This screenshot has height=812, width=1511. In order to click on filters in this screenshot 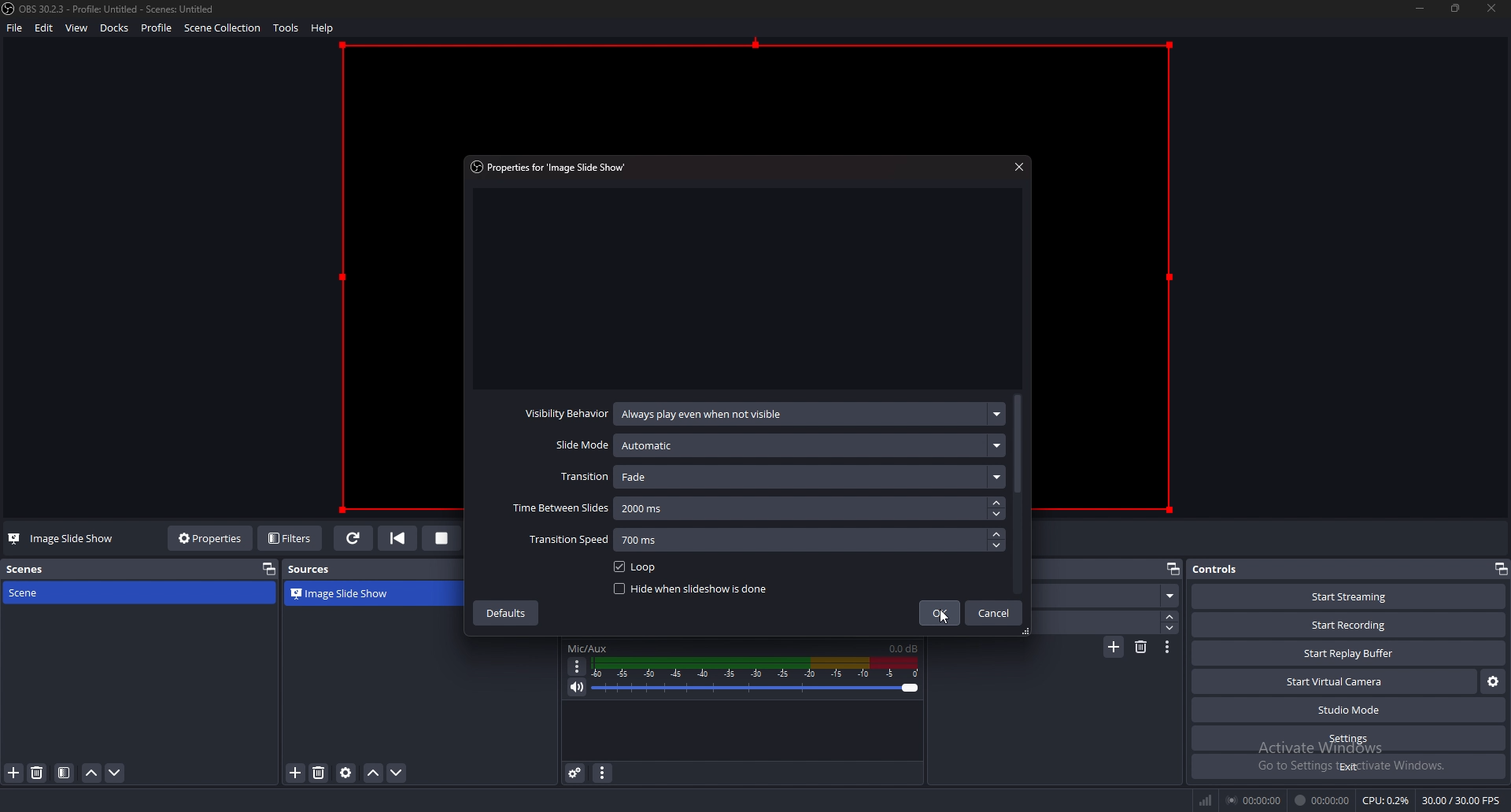, I will do `click(290, 538)`.